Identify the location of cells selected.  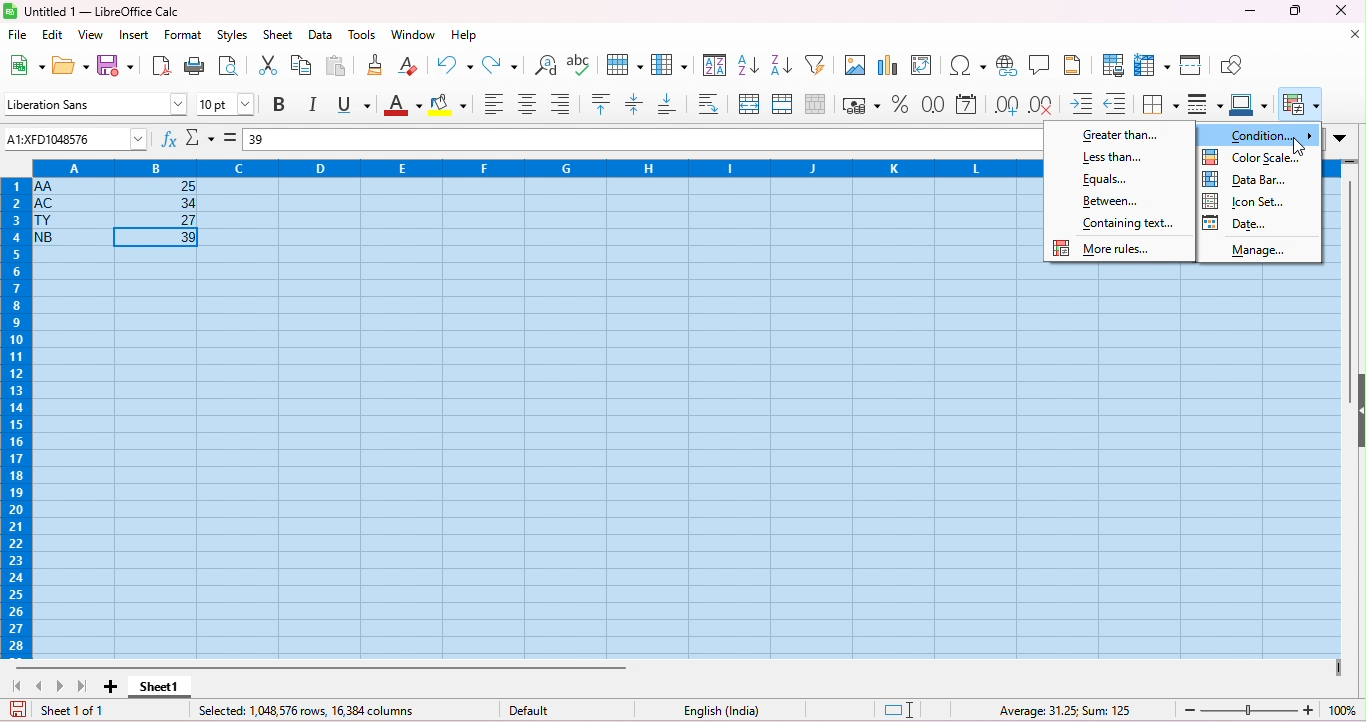
(539, 419).